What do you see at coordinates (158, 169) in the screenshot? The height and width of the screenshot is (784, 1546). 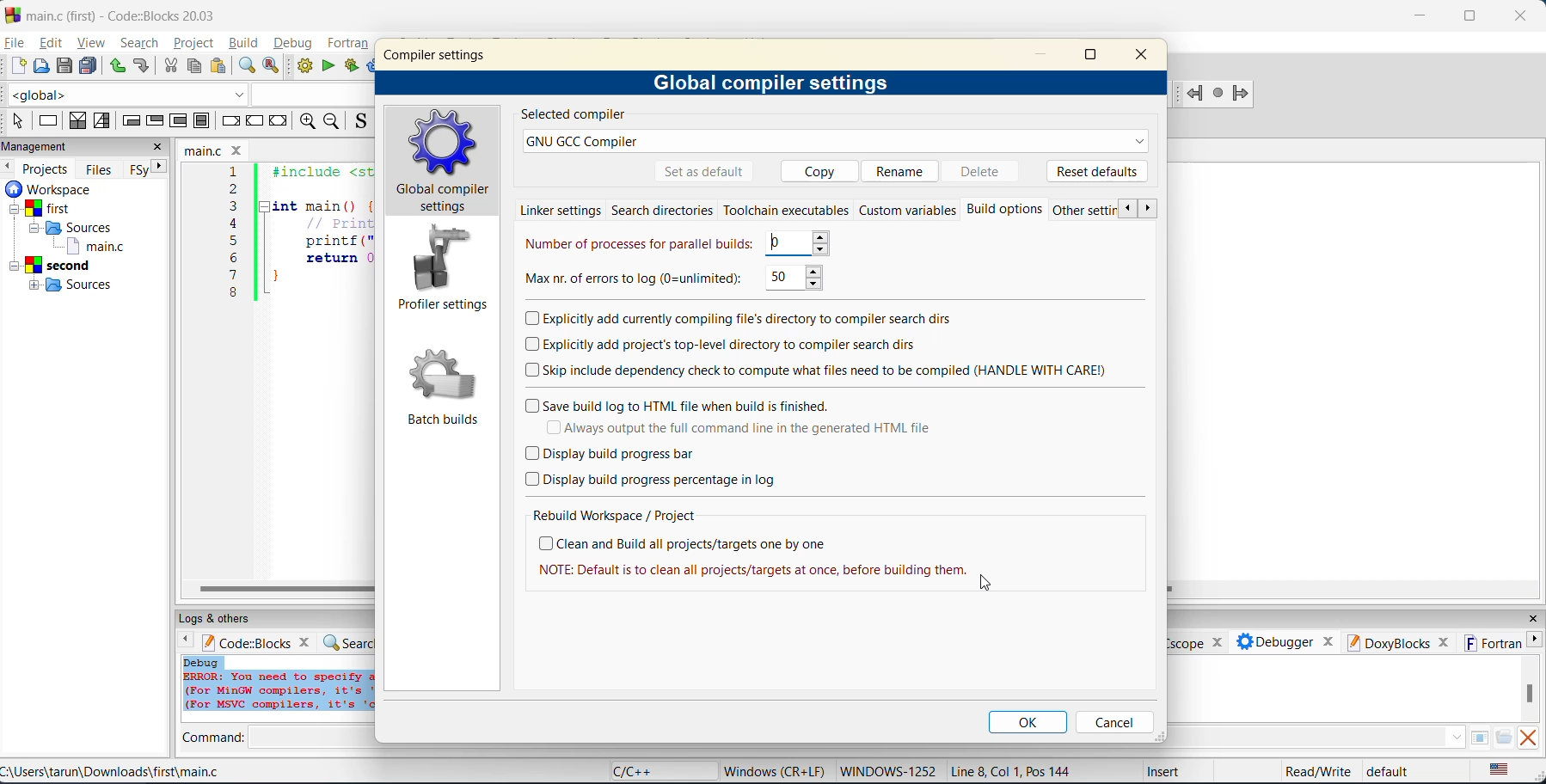 I see `next` at bounding box center [158, 169].